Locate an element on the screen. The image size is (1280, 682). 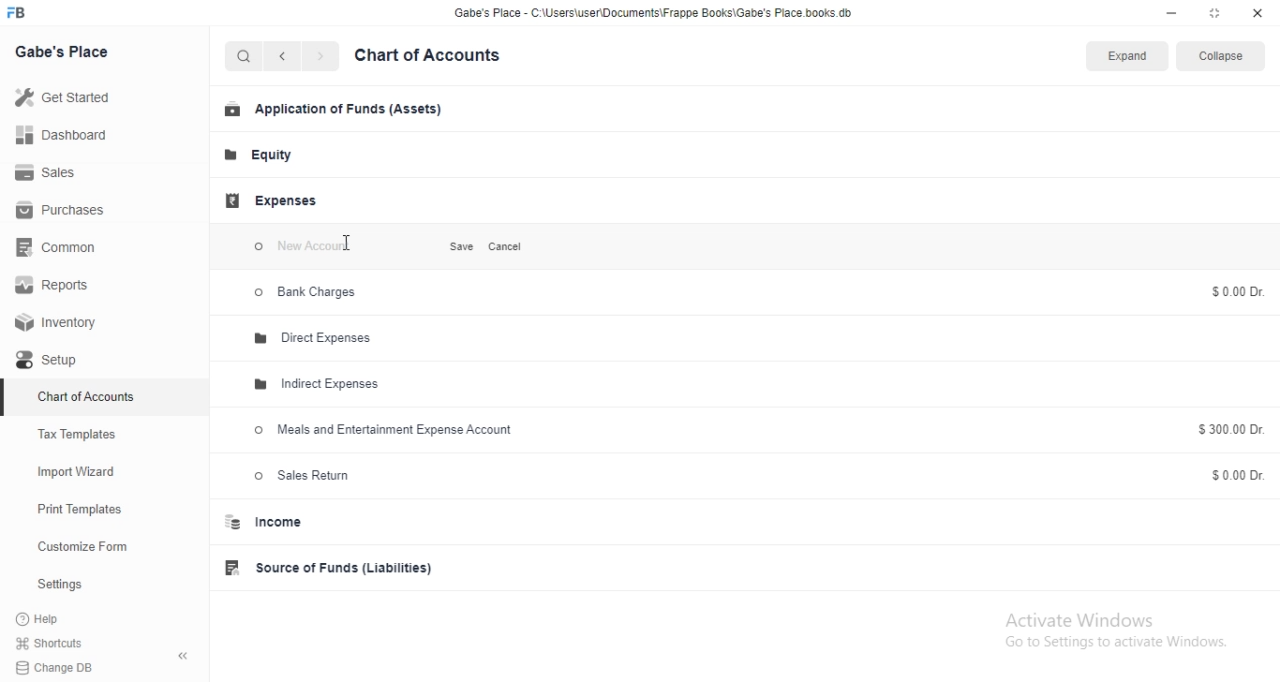
Gabe's Place - C\Users\userDocuments\Frappe Books\Gabe's Place.books.db. is located at coordinates (656, 16).